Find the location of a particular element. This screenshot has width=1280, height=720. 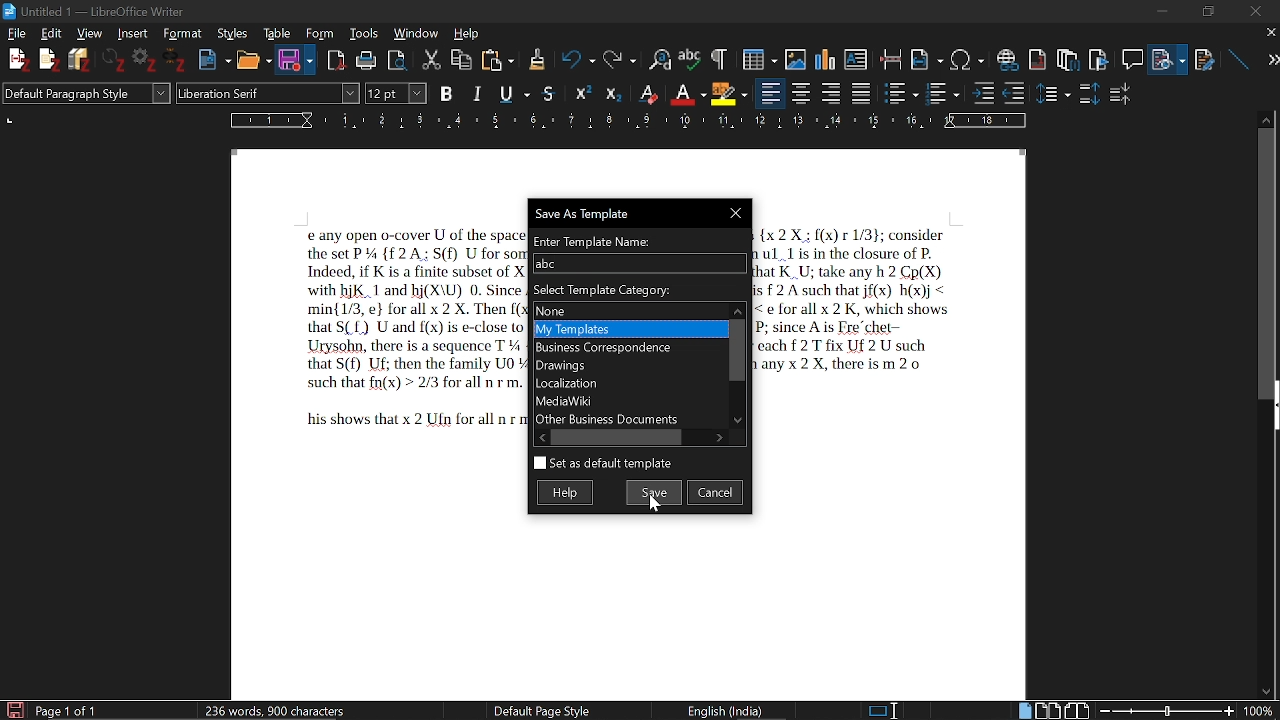

Open is located at coordinates (251, 60).